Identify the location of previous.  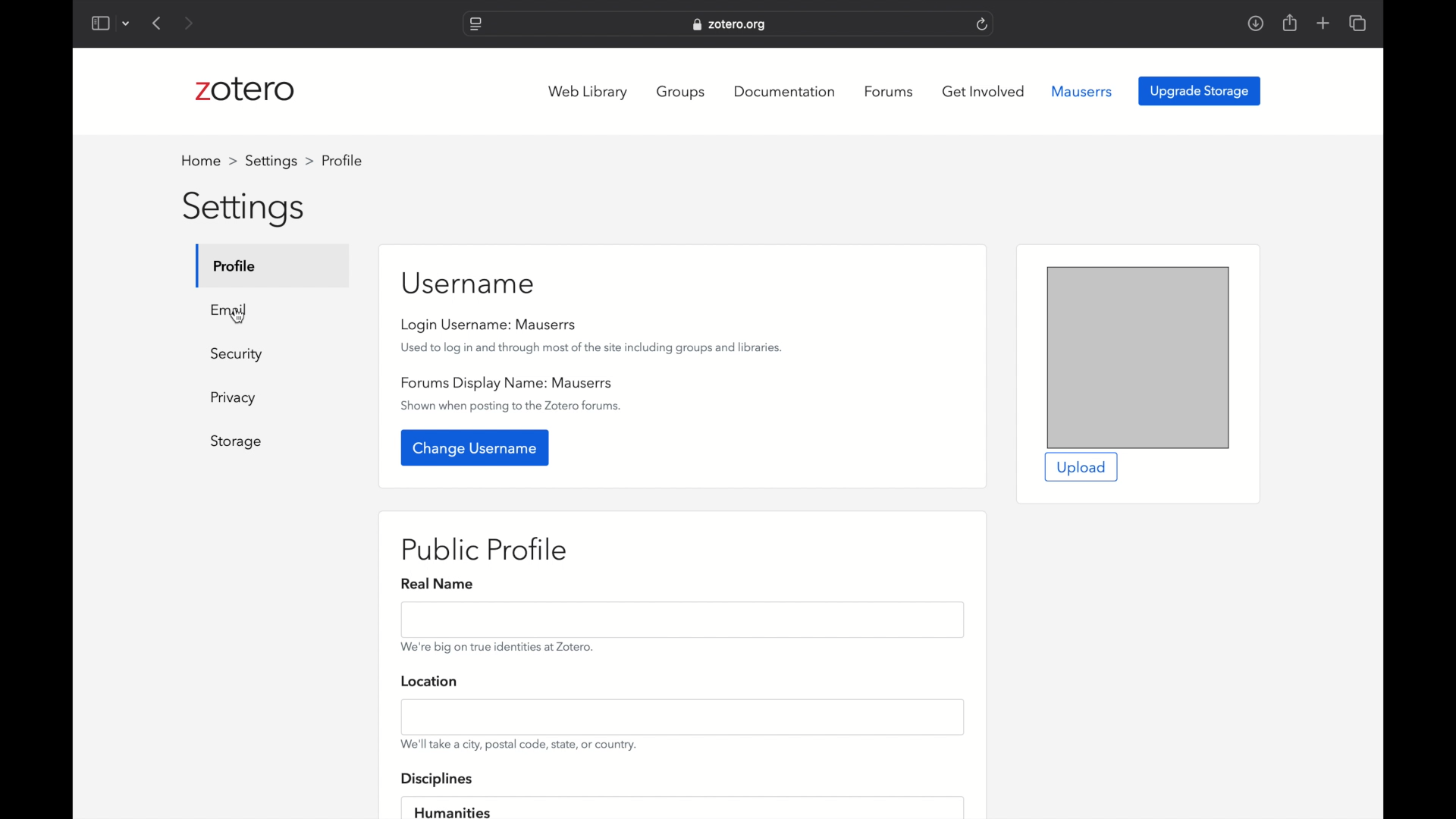
(158, 24).